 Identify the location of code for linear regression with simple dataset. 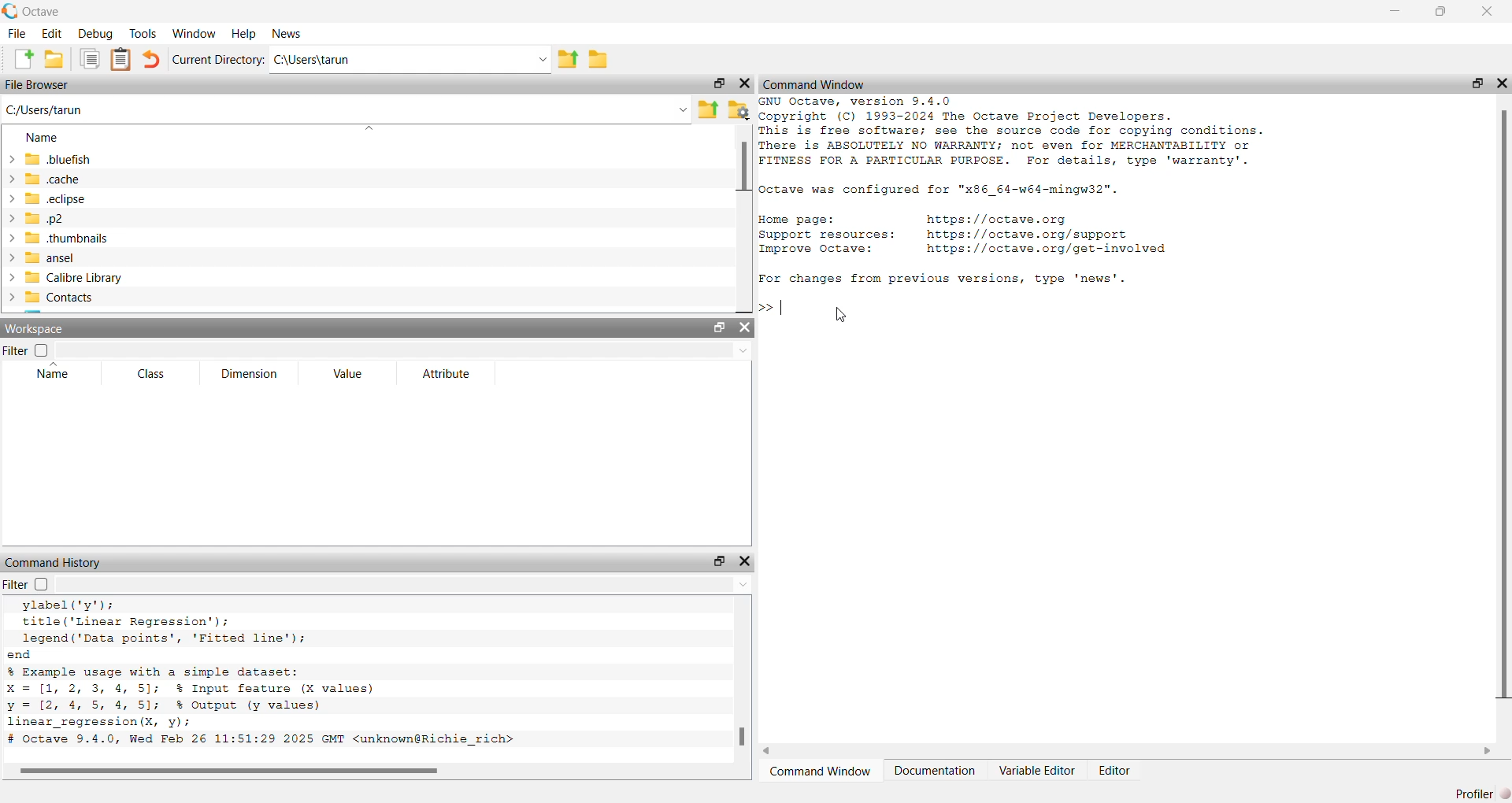
(218, 698).